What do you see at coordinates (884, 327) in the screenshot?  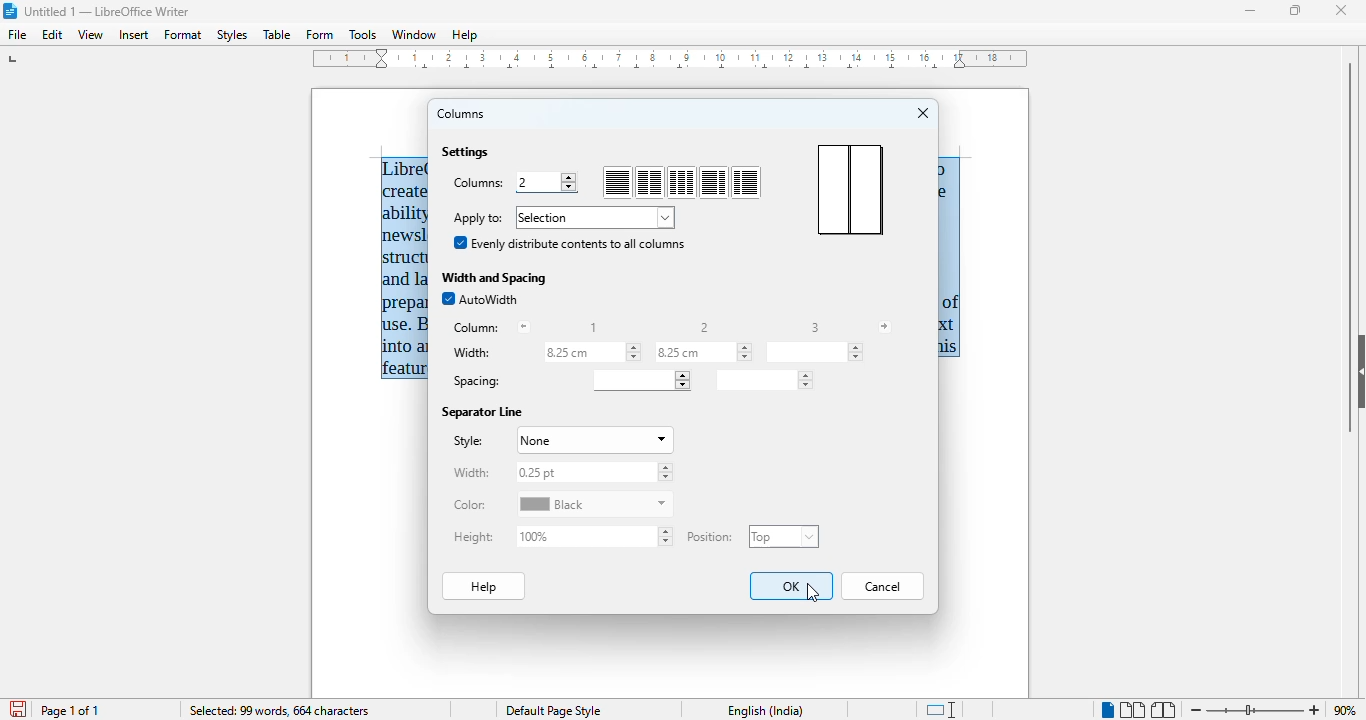 I see `forward arrow` at bounding box center [884, 327].